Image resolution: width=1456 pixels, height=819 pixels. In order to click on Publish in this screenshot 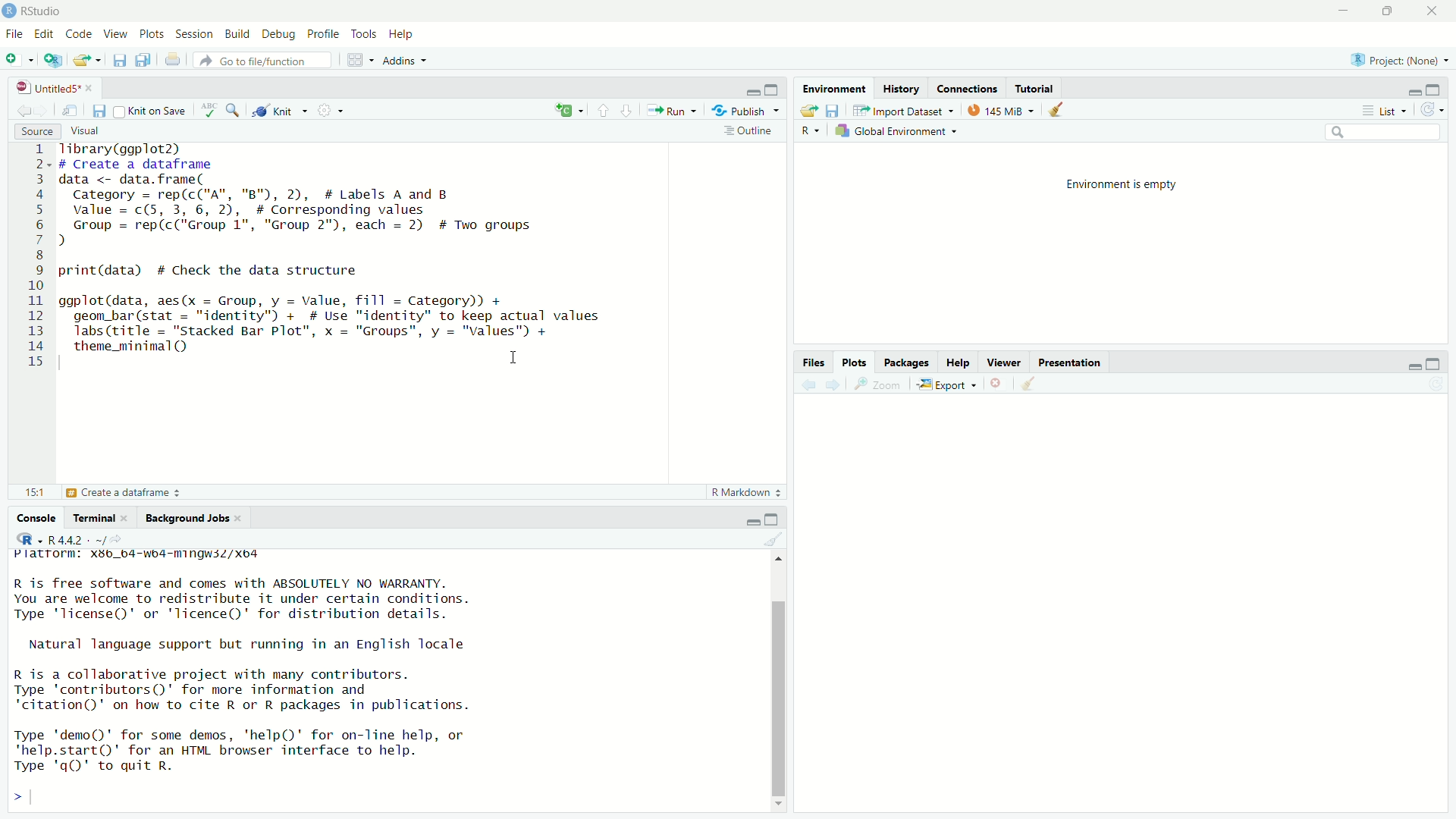, I will do `click(745, 108)`.